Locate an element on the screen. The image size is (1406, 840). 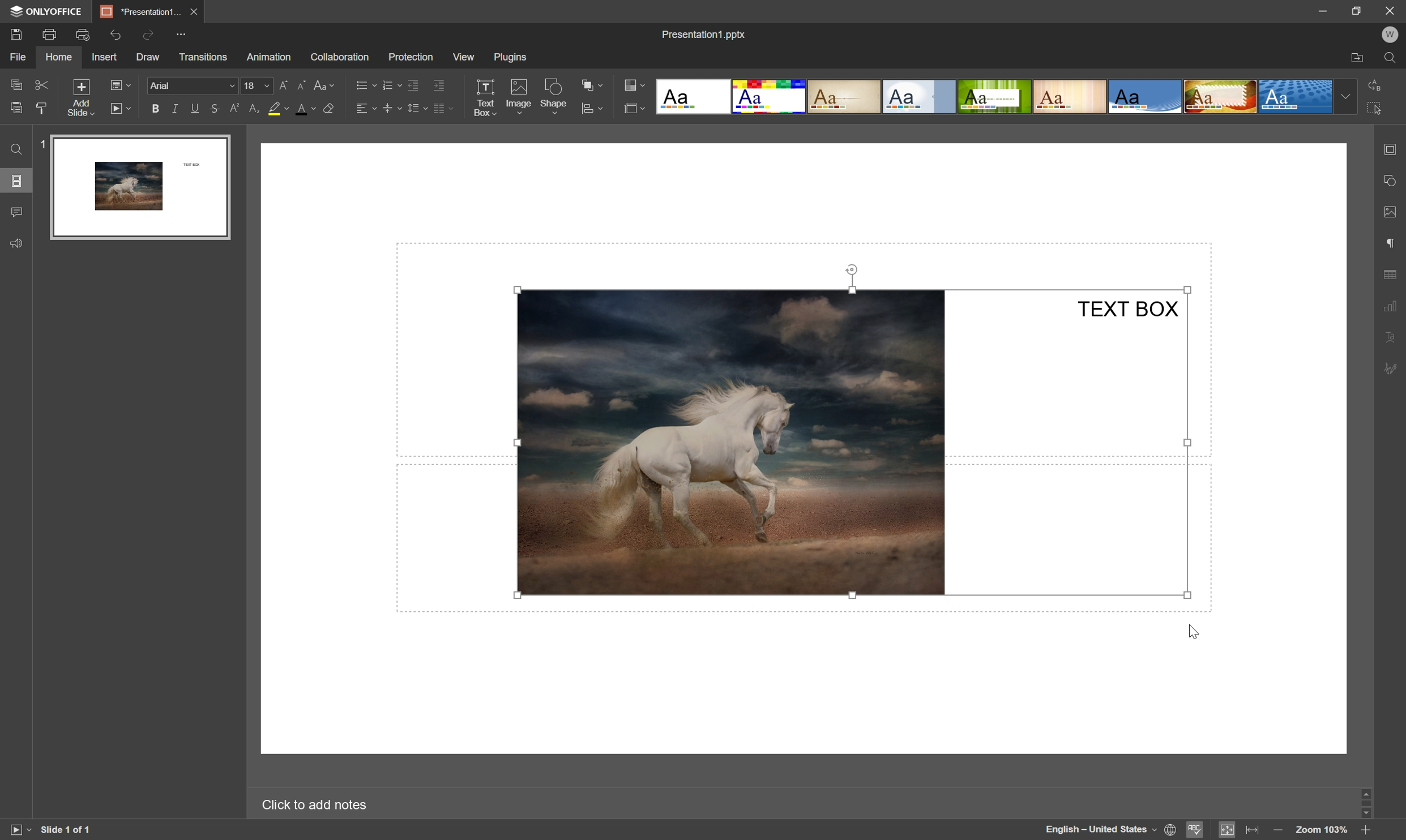
text art settings is located at coordinates (1388, 336).